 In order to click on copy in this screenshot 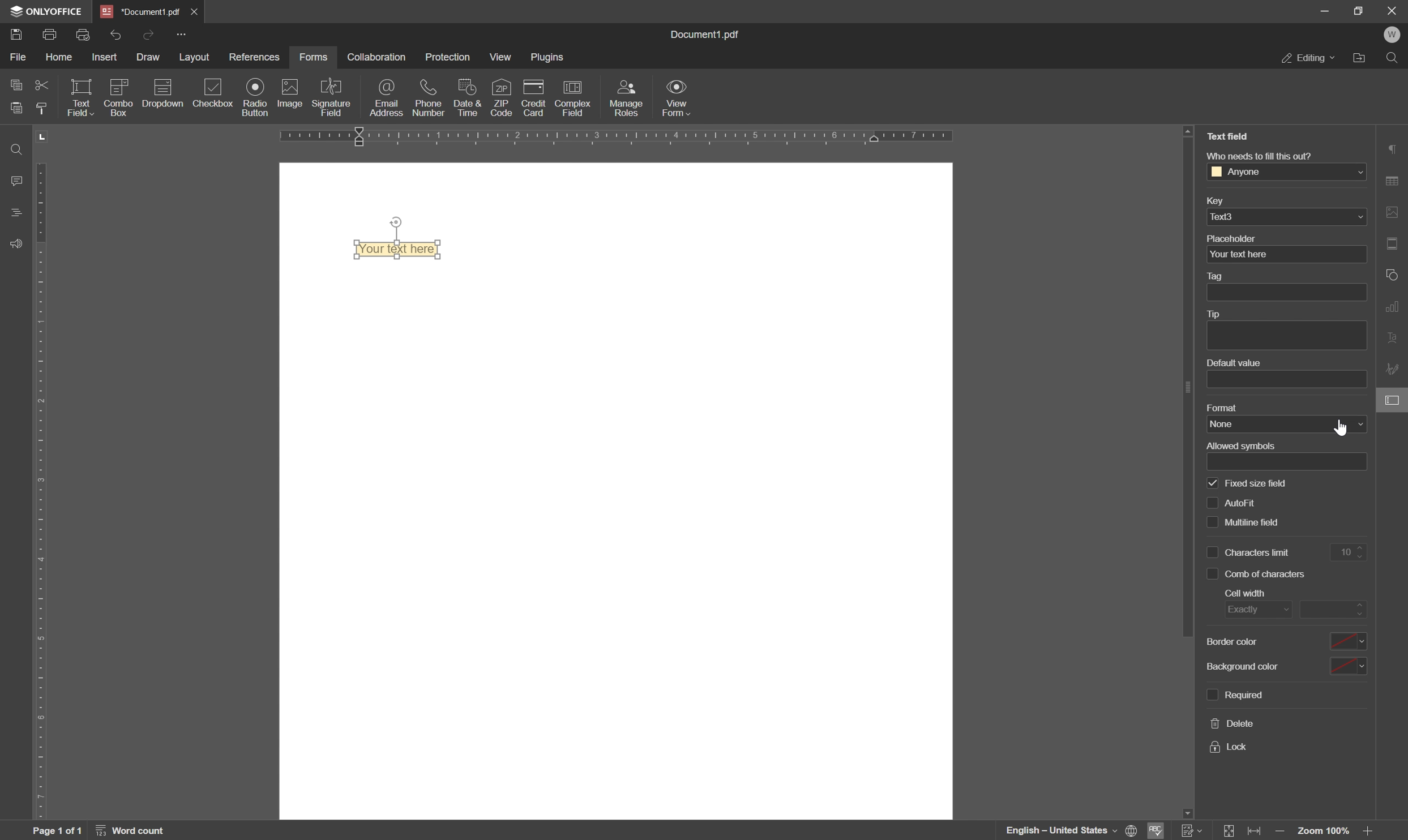, I will do `click(13, 85)`.